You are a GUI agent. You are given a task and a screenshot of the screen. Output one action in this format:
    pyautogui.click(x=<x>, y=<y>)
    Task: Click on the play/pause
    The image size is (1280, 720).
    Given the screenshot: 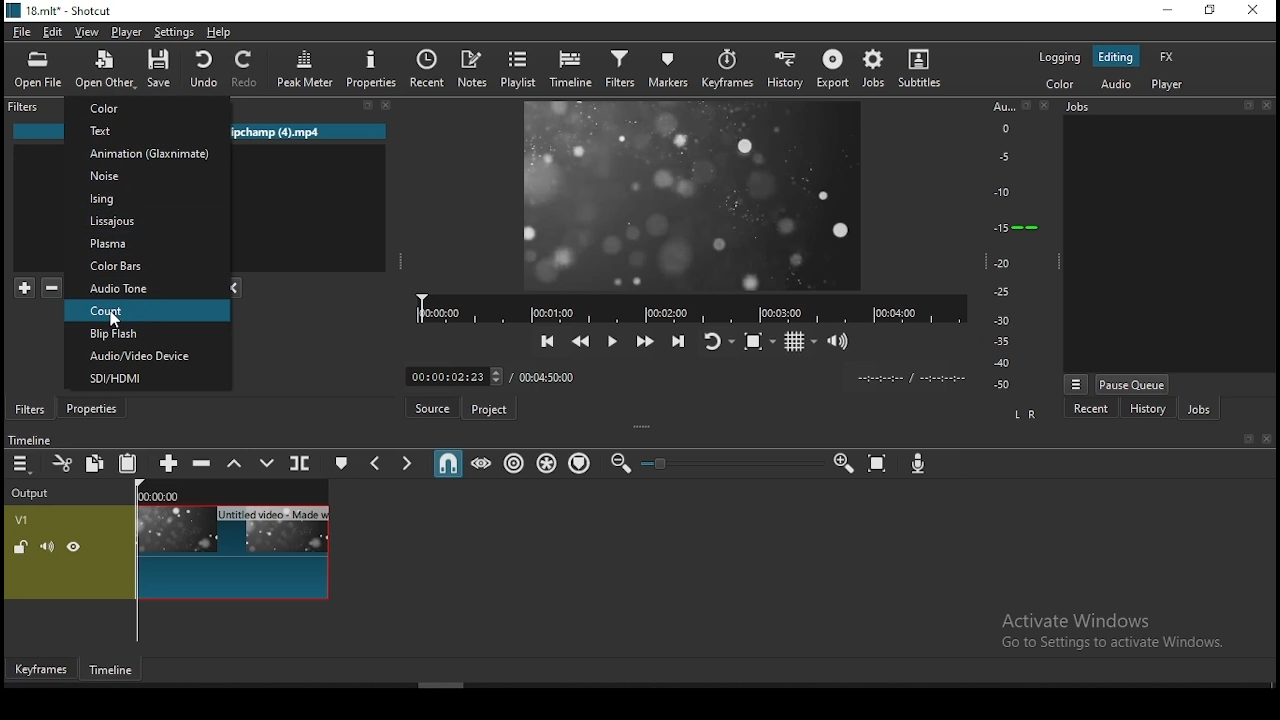 What is the action you would take?
    pyautogui.click(x=609, y=341)
    